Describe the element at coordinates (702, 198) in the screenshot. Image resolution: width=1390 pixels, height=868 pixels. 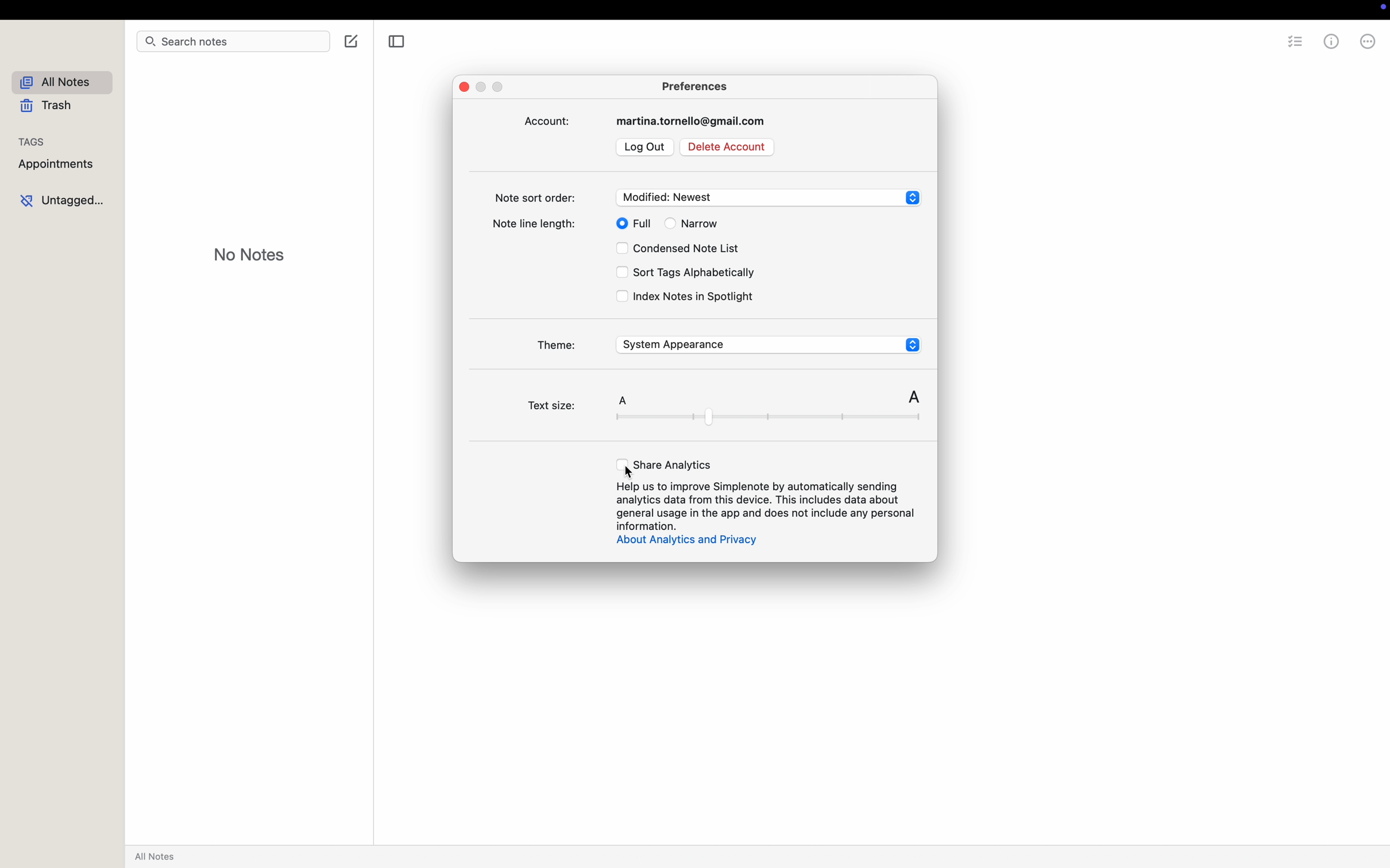
I see `note sort order` at that location.